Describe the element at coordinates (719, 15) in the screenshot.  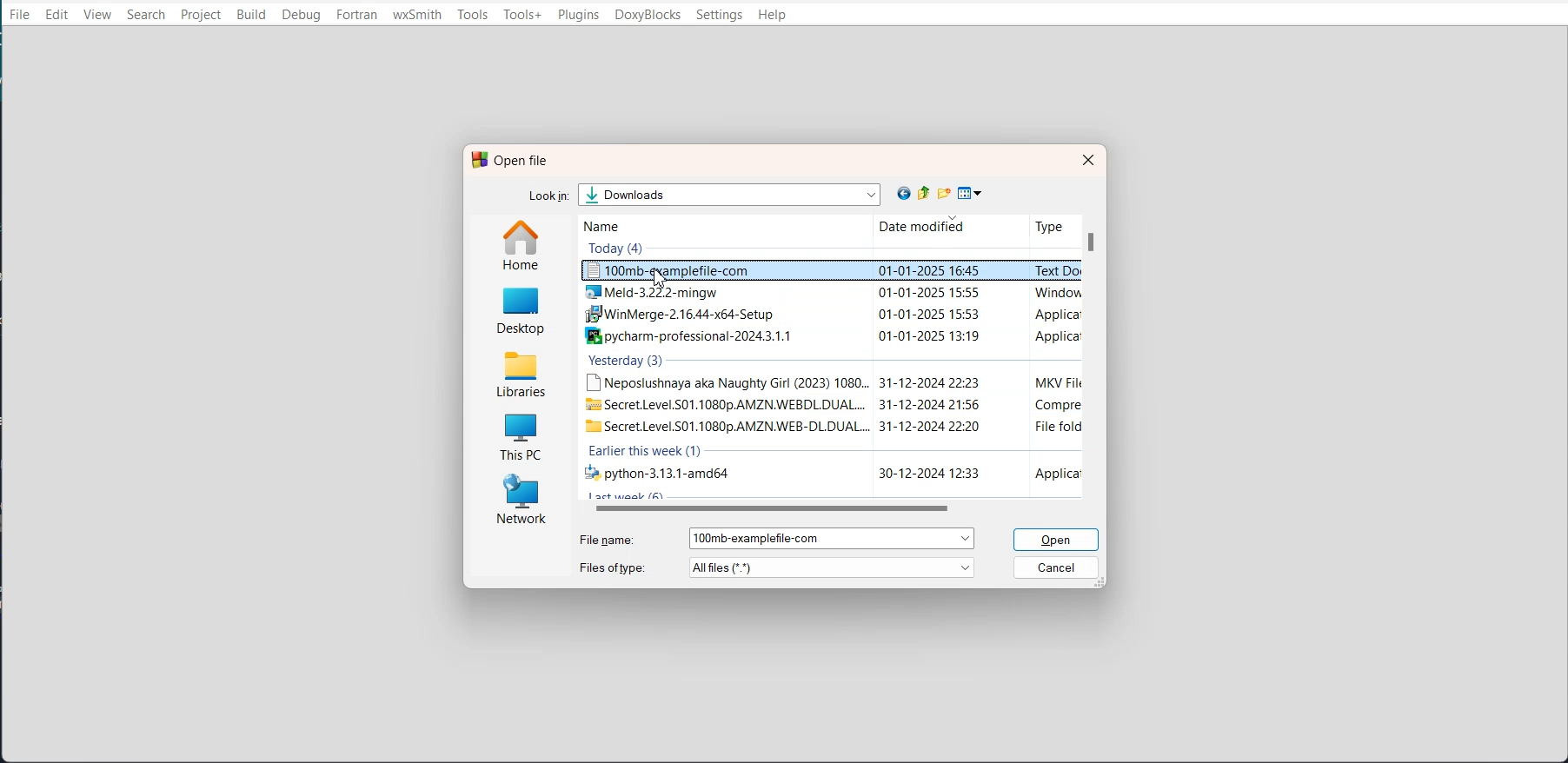
I see `Settings` at that location.